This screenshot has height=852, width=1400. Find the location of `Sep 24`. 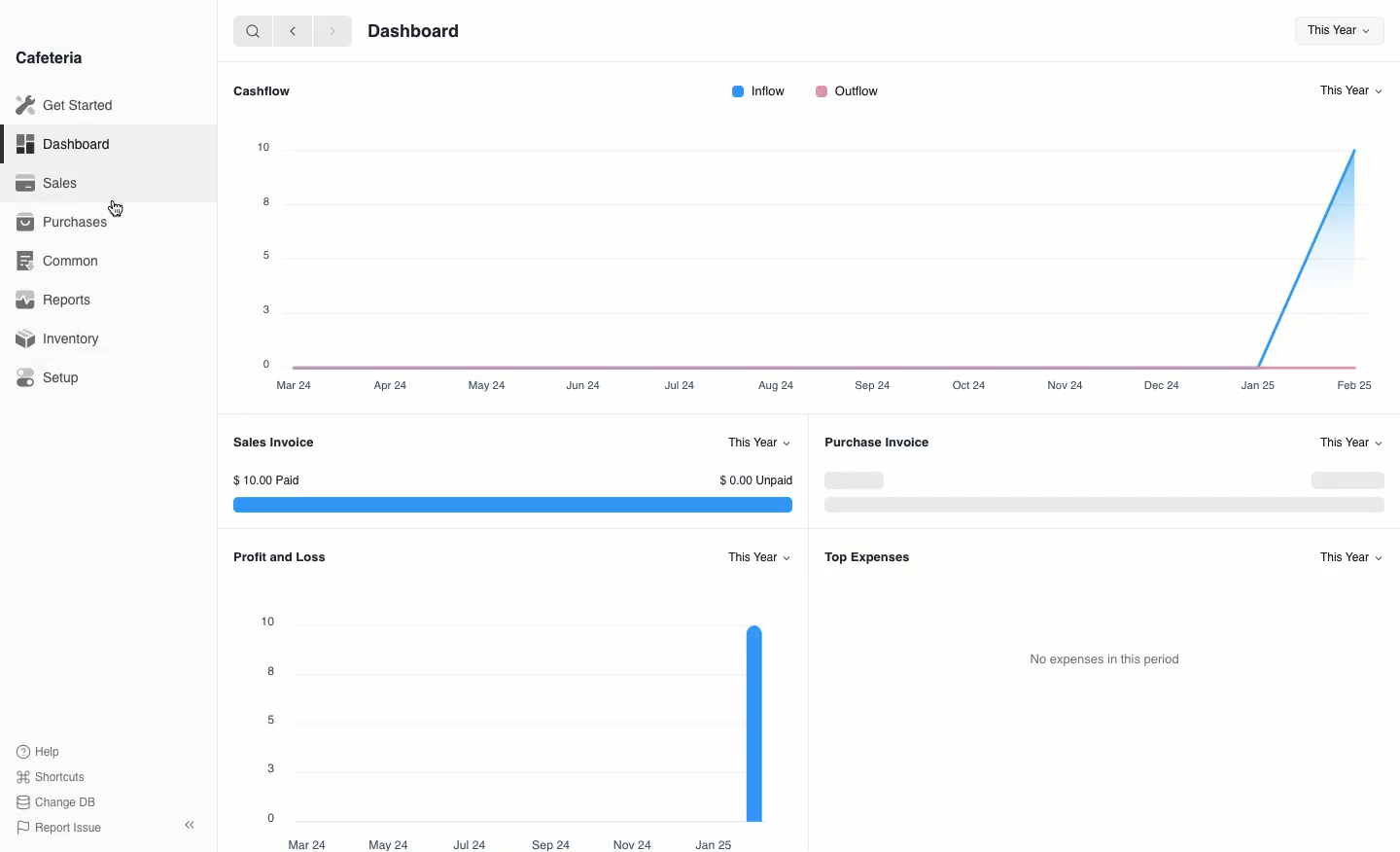

Sep 24 is located at coordinates (549, 842).